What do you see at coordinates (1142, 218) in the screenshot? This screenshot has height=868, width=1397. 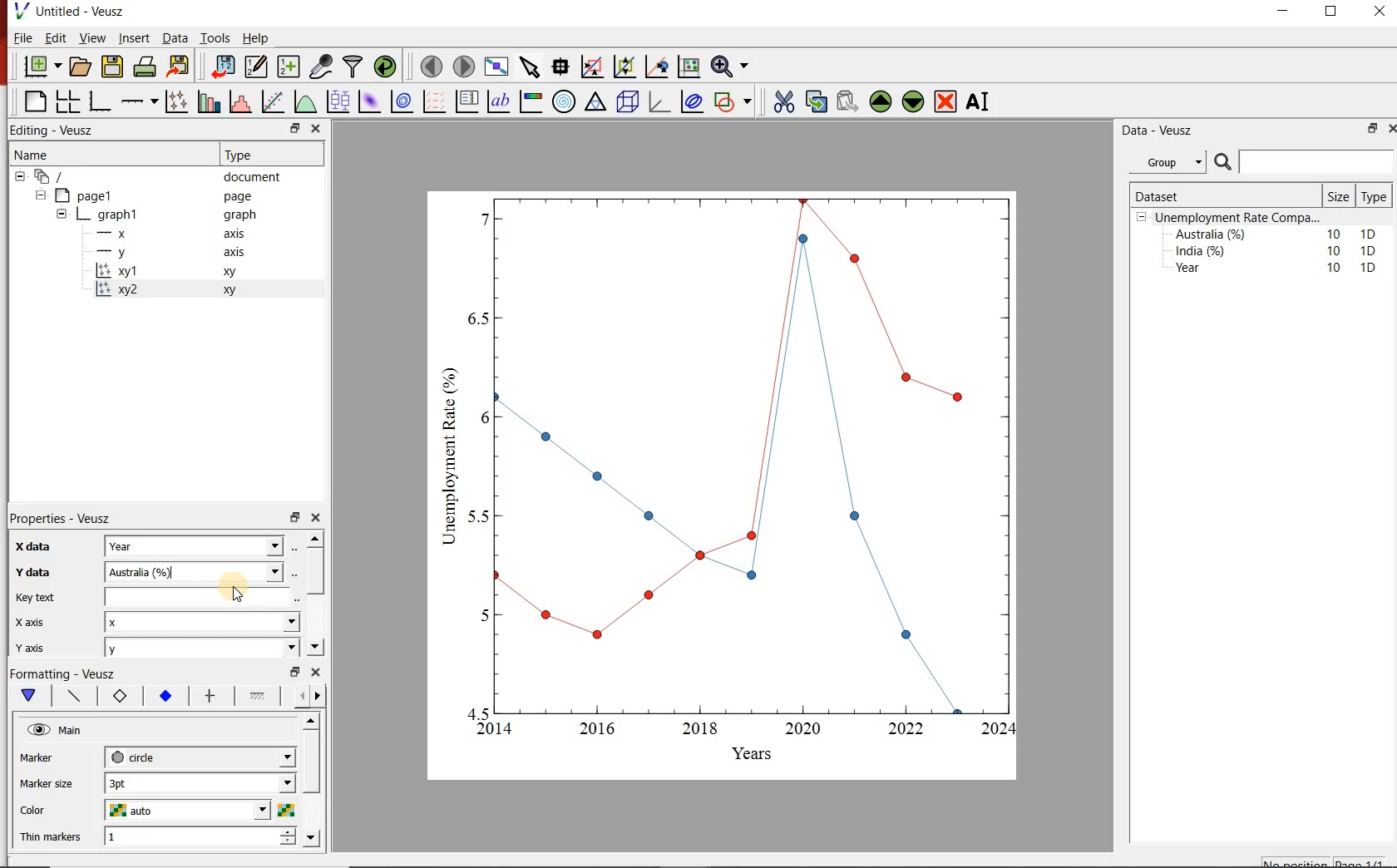 I see `collpase` at bounding box center [1142, 218].